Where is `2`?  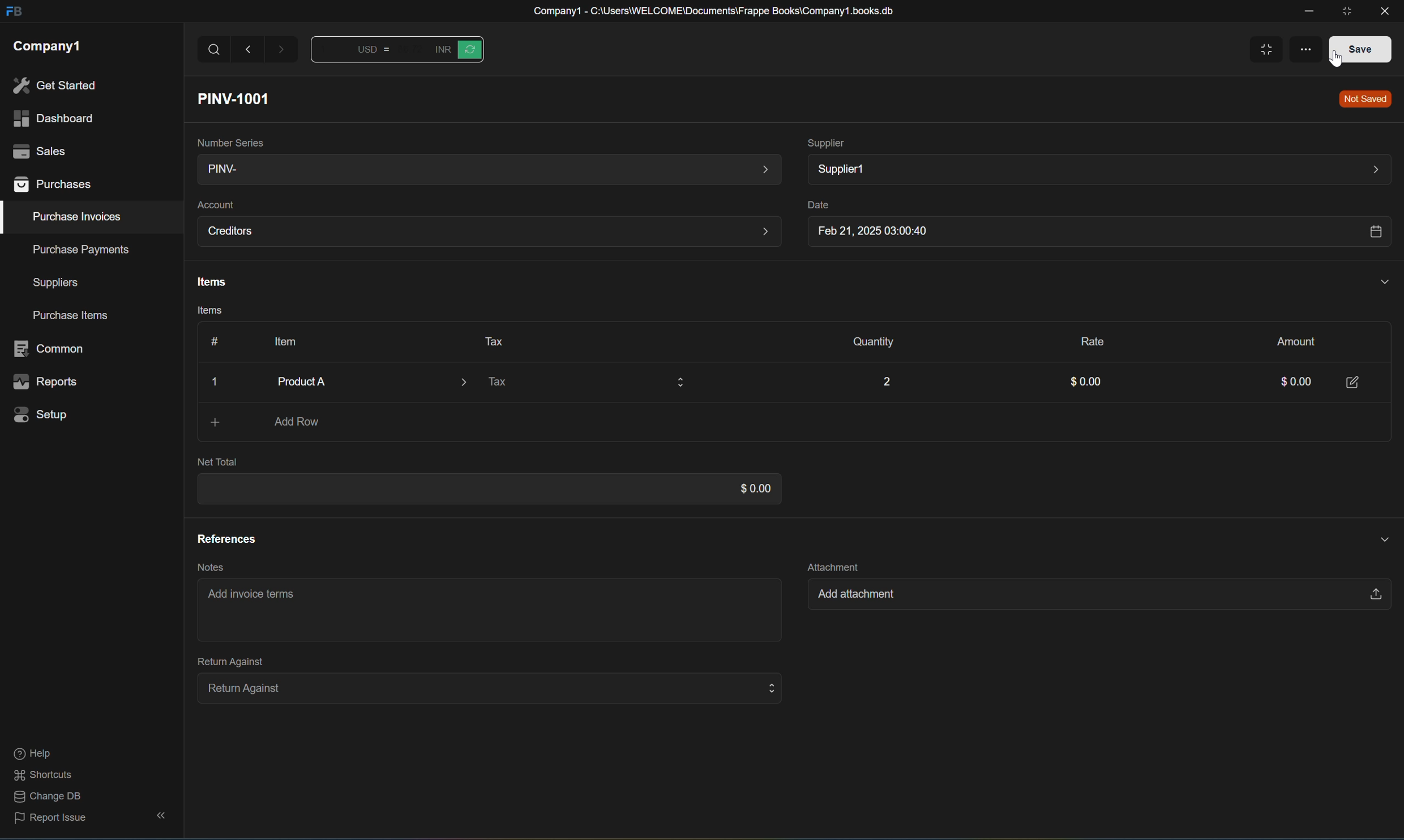
2 is located at coordinates (885, 379).